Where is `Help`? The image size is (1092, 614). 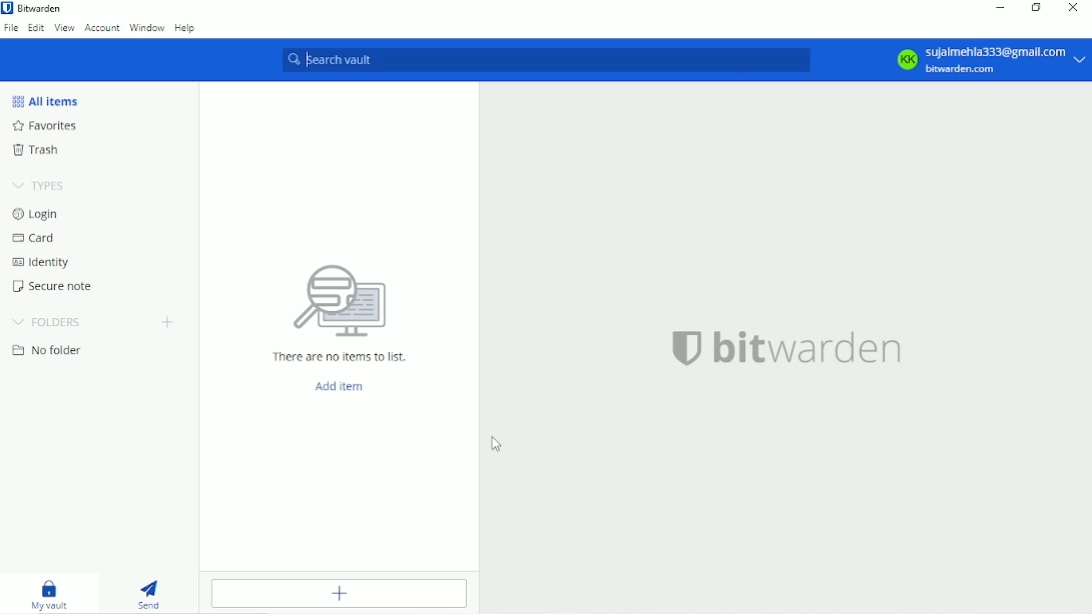 Help is located at coordinates (188, 28).